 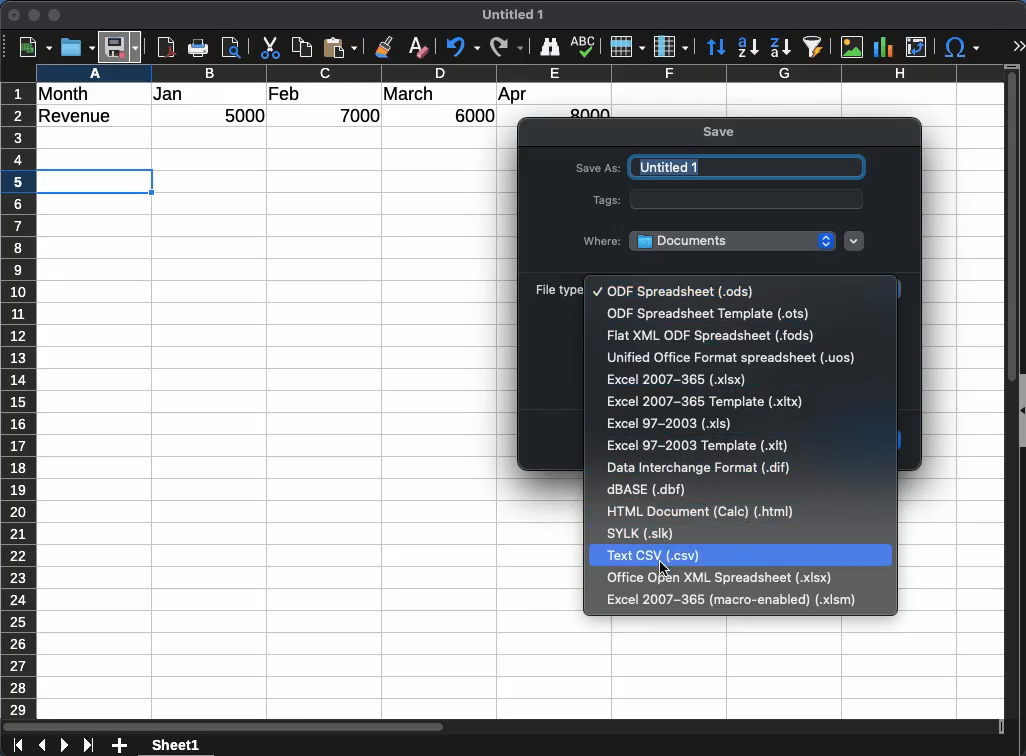 I want to click on maximize, so click(x=56, y=15).